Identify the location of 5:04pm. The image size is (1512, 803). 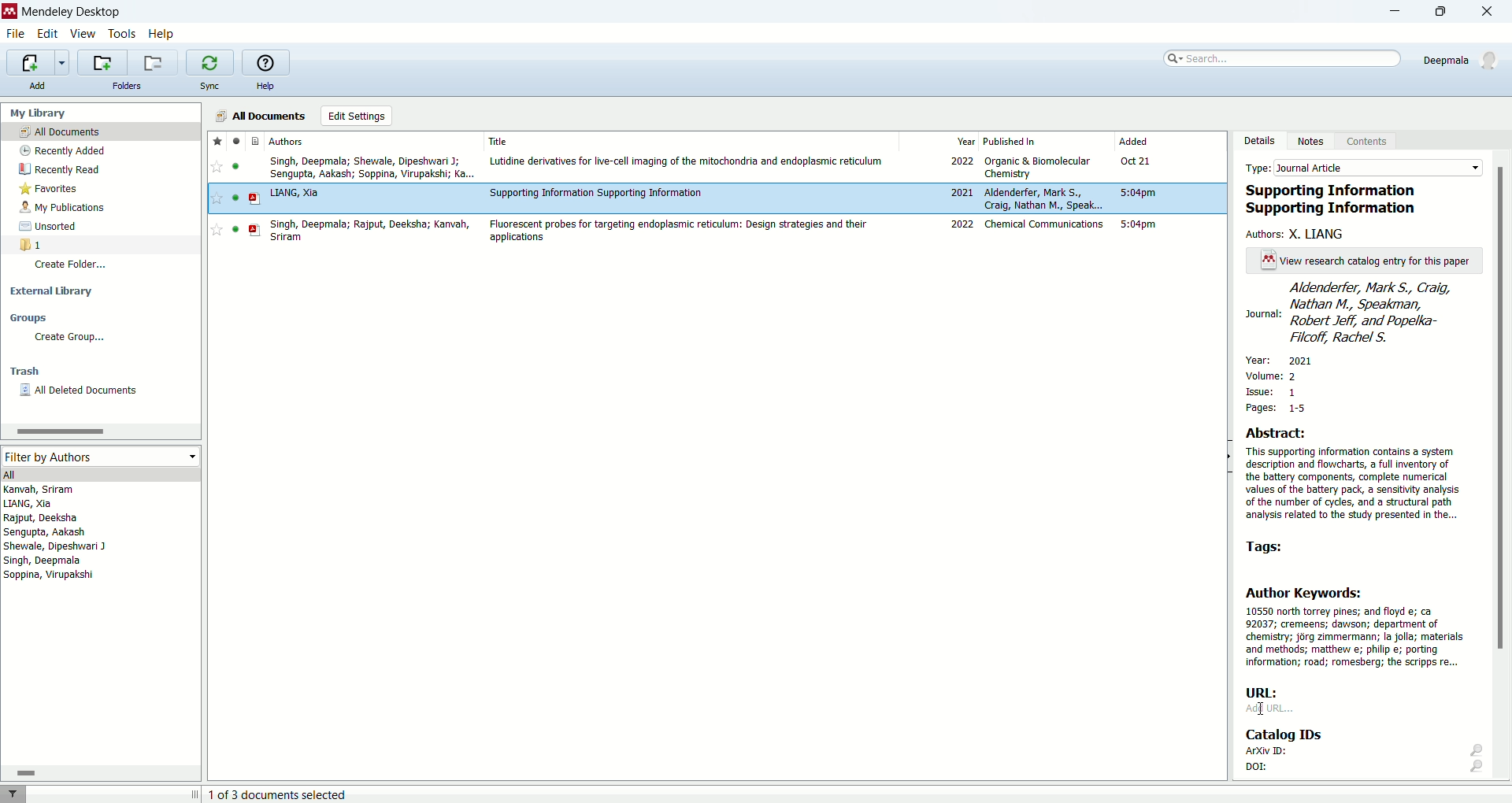
(1138, 193).